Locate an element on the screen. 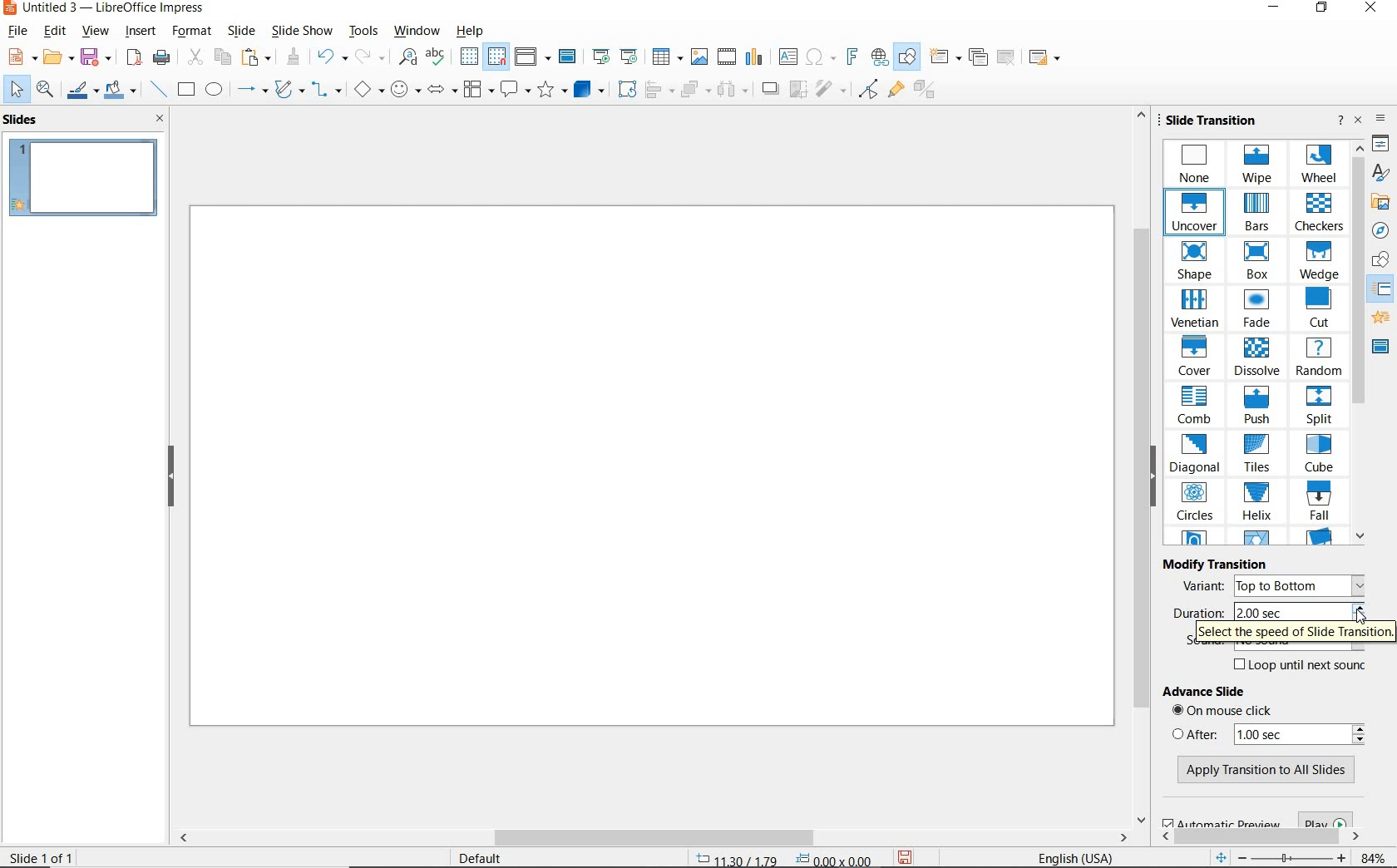  CLONE FORMATTING is located at coordinates (294, 58).